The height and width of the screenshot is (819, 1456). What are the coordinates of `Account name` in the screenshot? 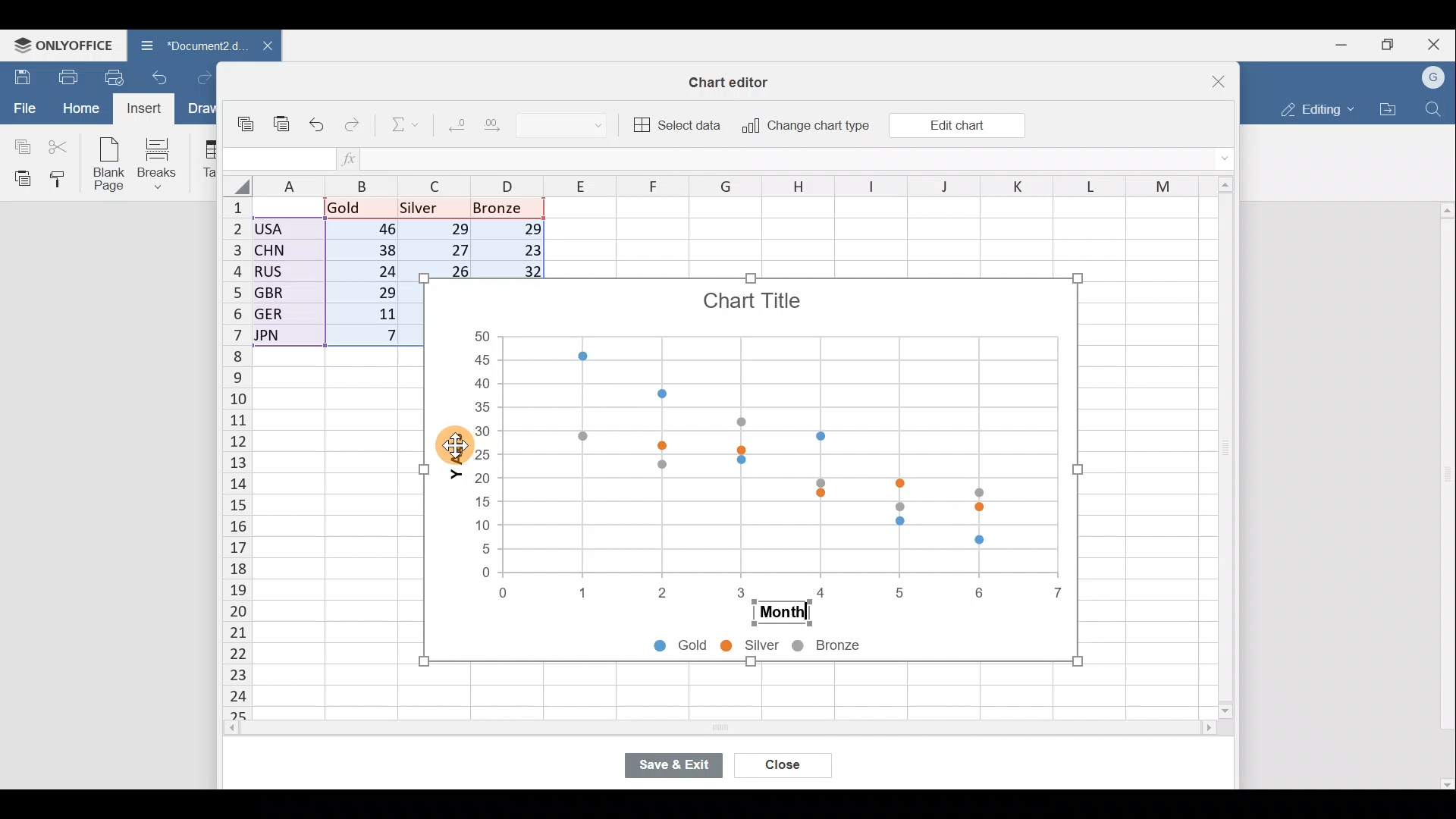 It's located at (1435, 76).